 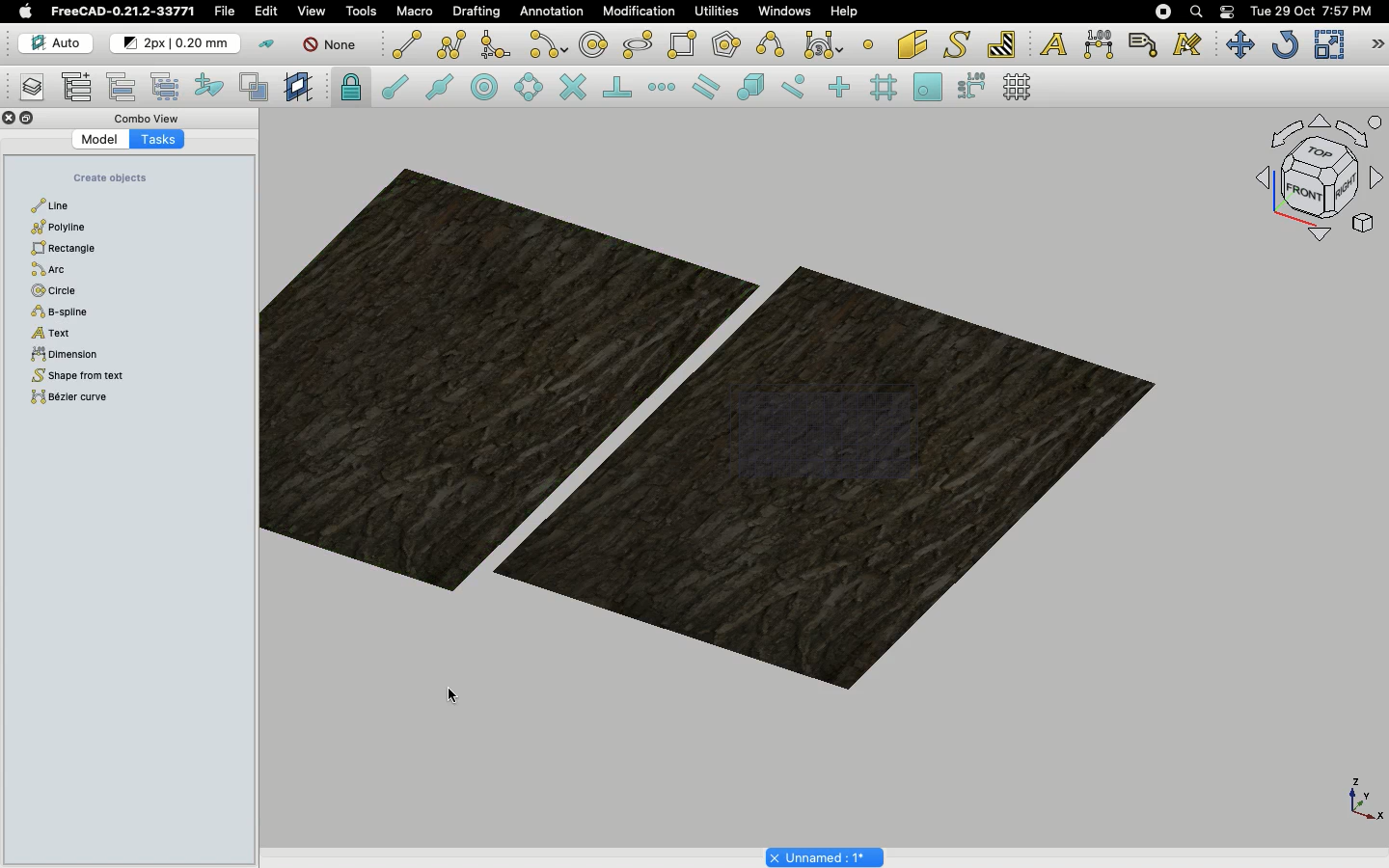 What do you see at coordinates (643, 14) in the screenshot?
I see `Modification` at bounding box center [643, 14].